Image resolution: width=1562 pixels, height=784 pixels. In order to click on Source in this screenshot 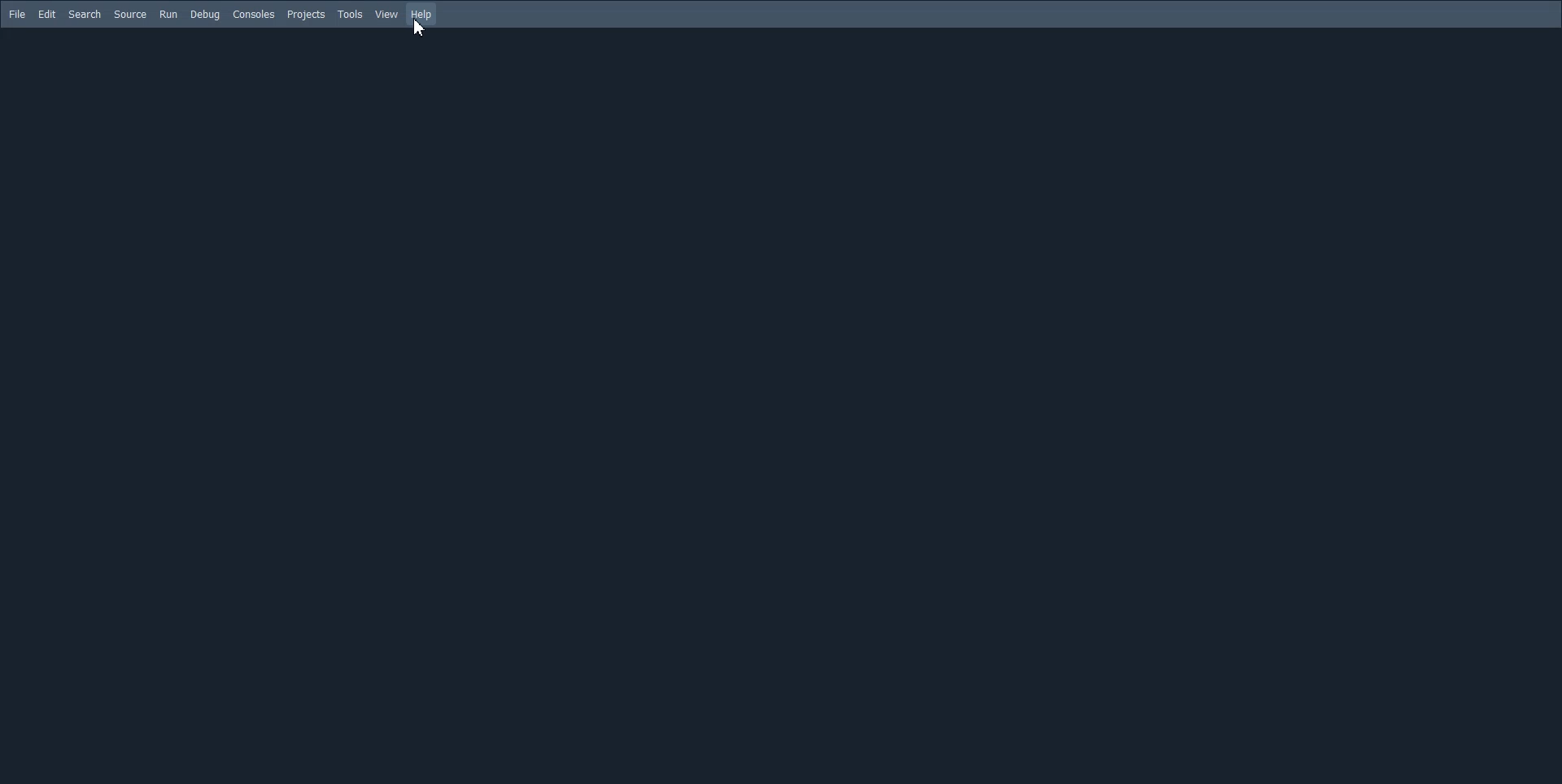, I will do `click(130, 15)`.